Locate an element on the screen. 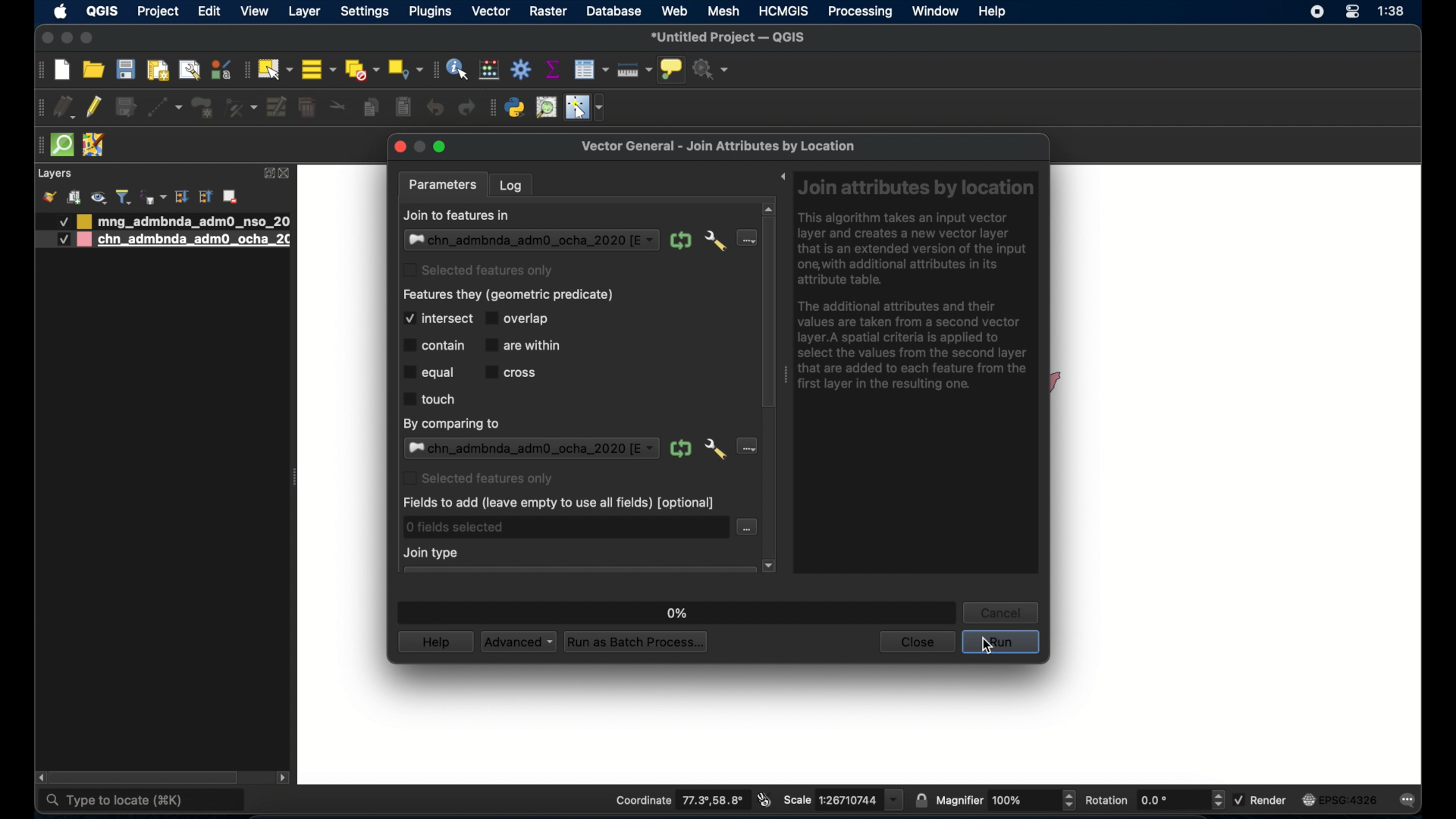 The width and height of the screenshot is (1456, 819). style manager is located at coordinates (220, 69).